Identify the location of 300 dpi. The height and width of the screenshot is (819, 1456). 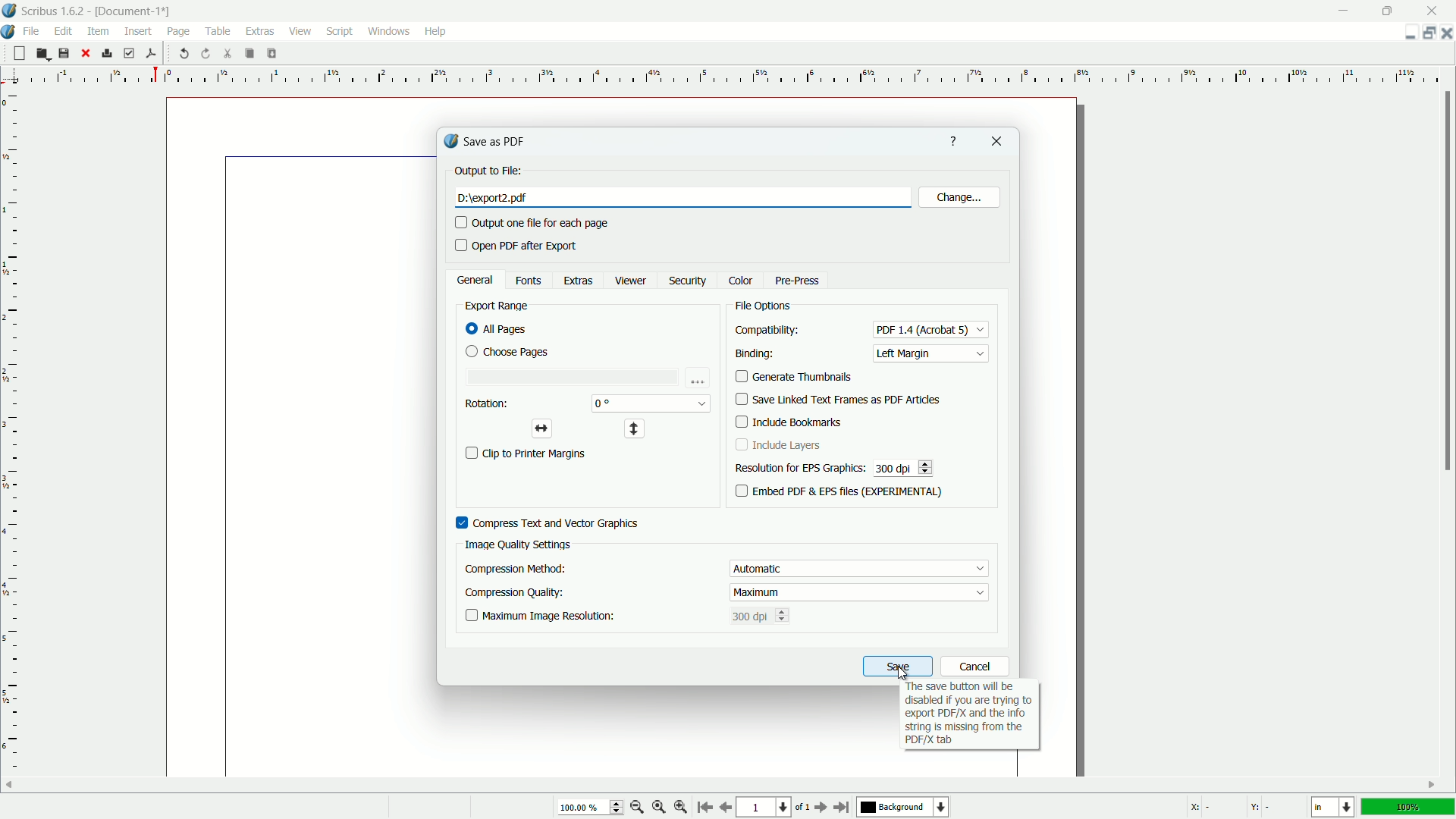
(894, 469).